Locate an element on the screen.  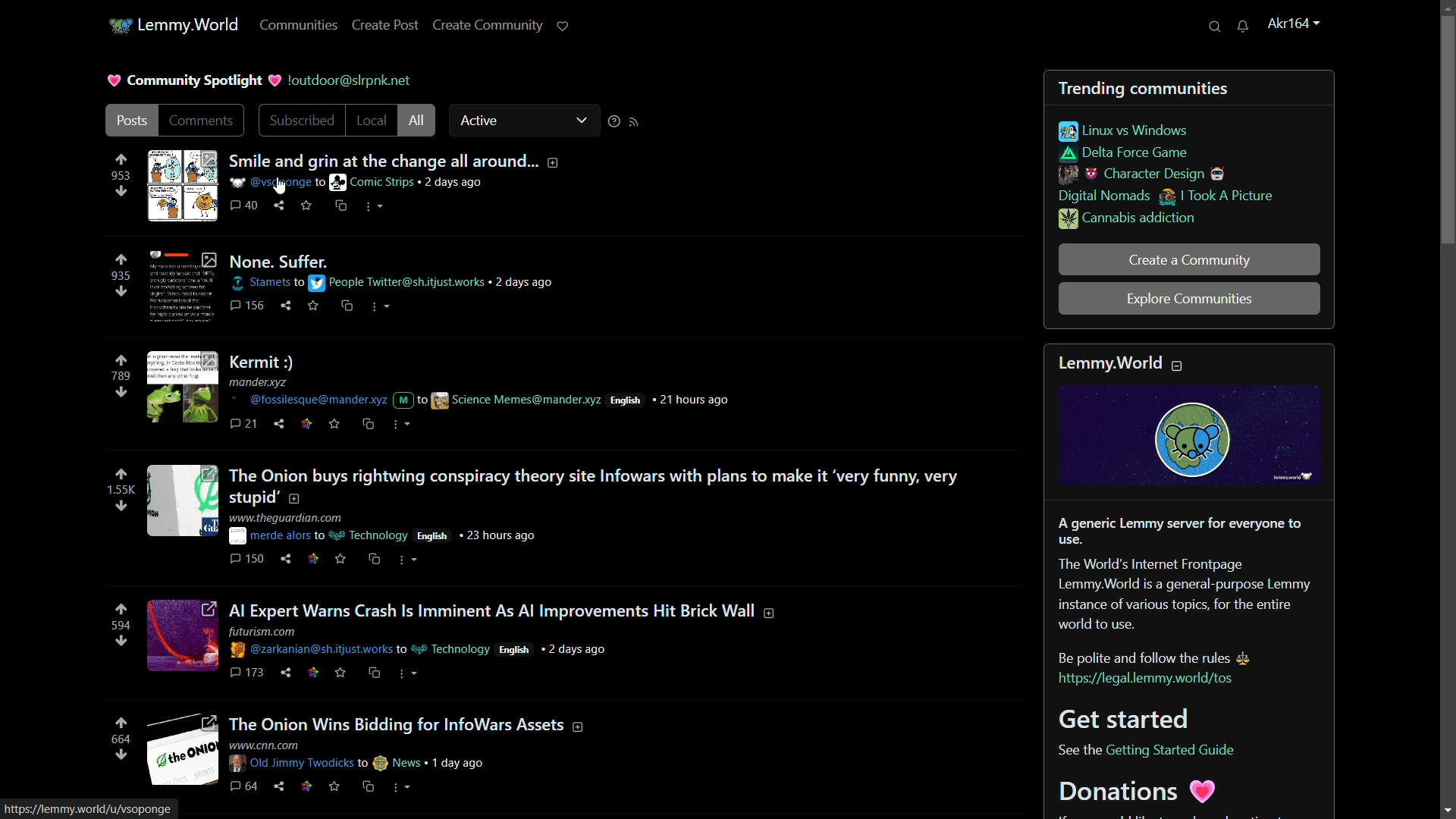
communities is located at coordinates (299, 27).